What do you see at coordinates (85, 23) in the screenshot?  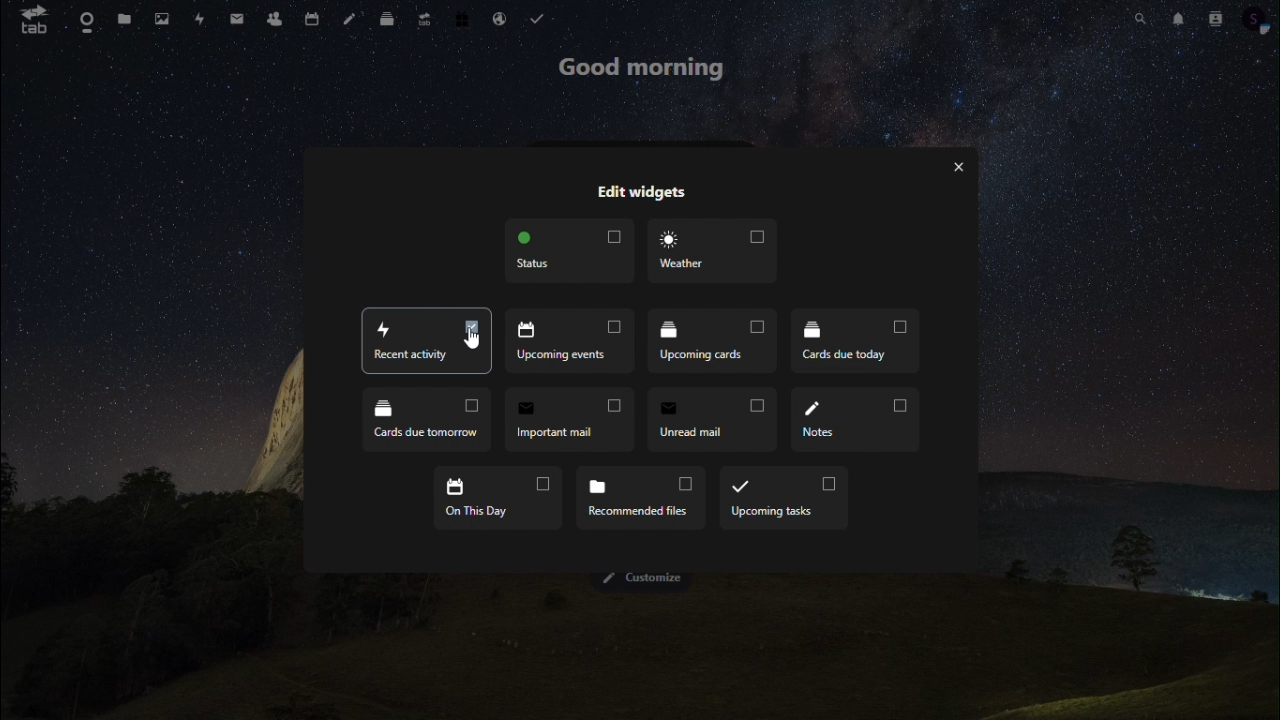 I see `dashboard` at bounding box center [85, 23].